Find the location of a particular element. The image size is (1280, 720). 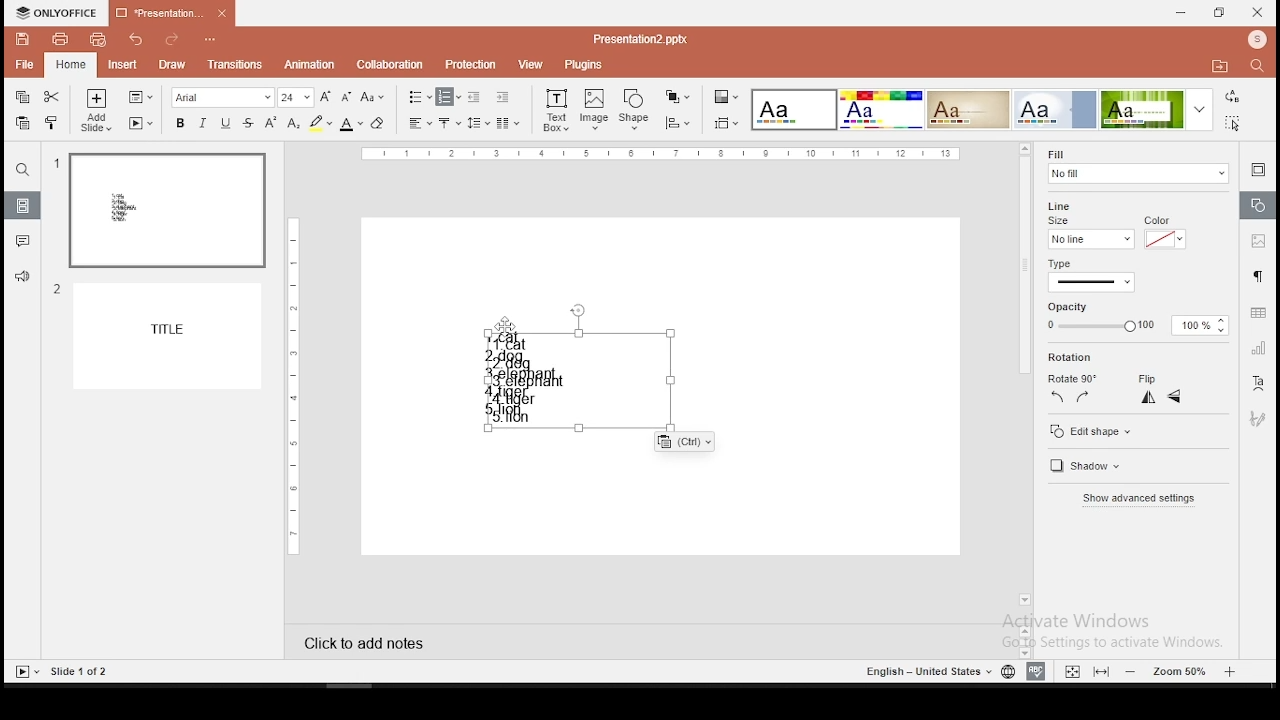

arrange objects is located at coordinates (677, 98).